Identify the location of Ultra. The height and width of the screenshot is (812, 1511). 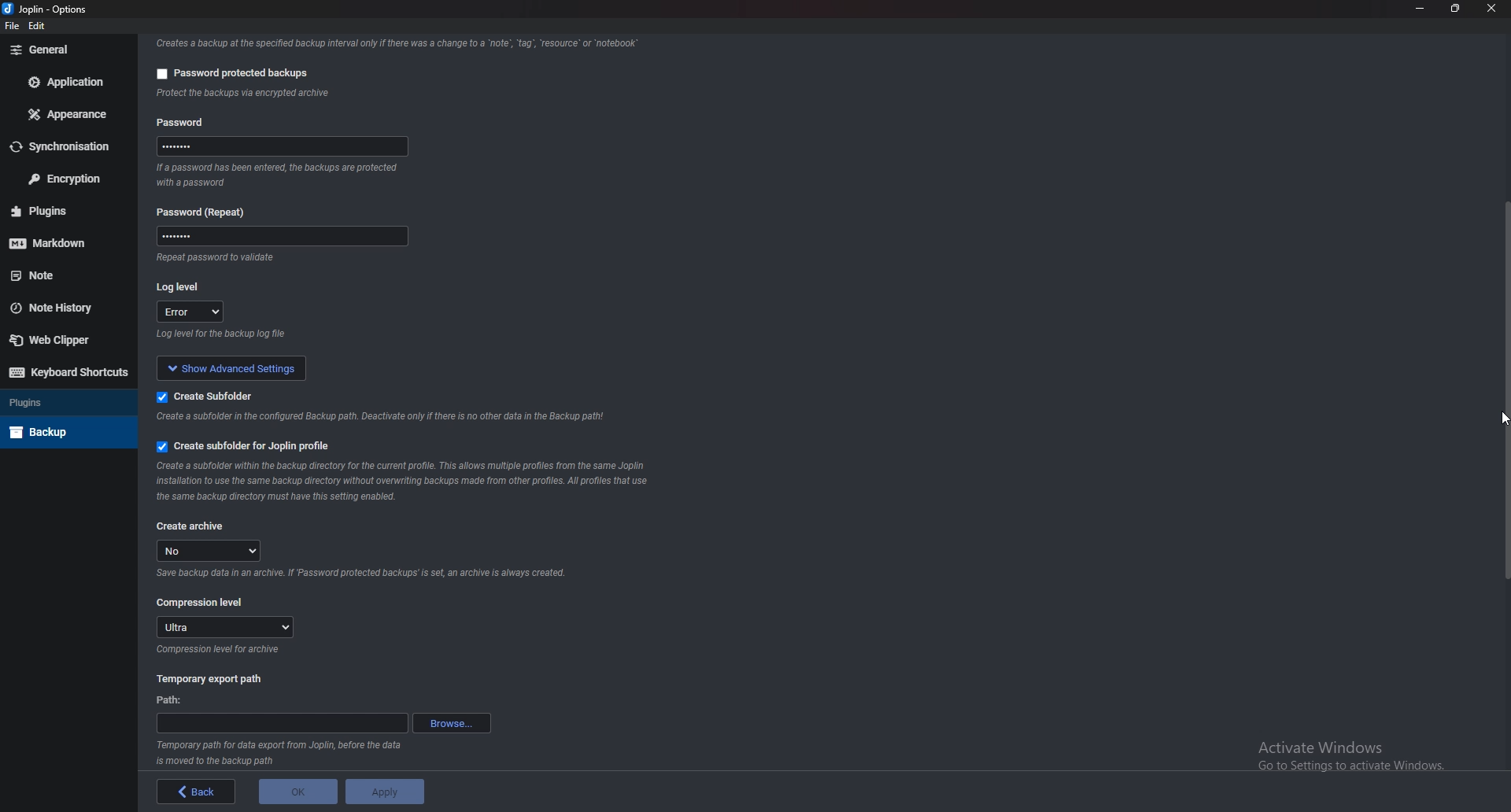
(226, 627).